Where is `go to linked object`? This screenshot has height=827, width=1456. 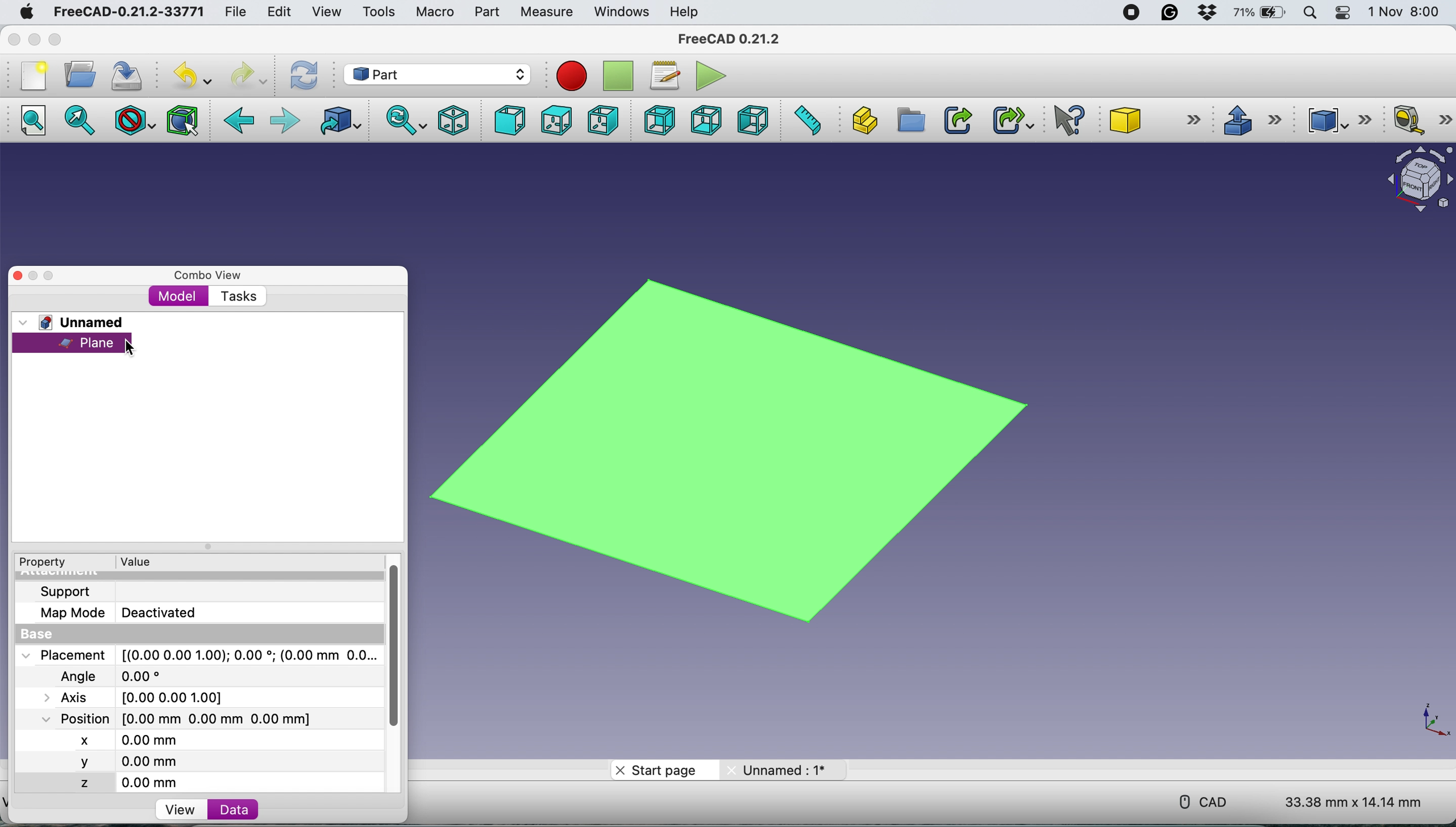 go to linked object is located at coordinates (337, 121).